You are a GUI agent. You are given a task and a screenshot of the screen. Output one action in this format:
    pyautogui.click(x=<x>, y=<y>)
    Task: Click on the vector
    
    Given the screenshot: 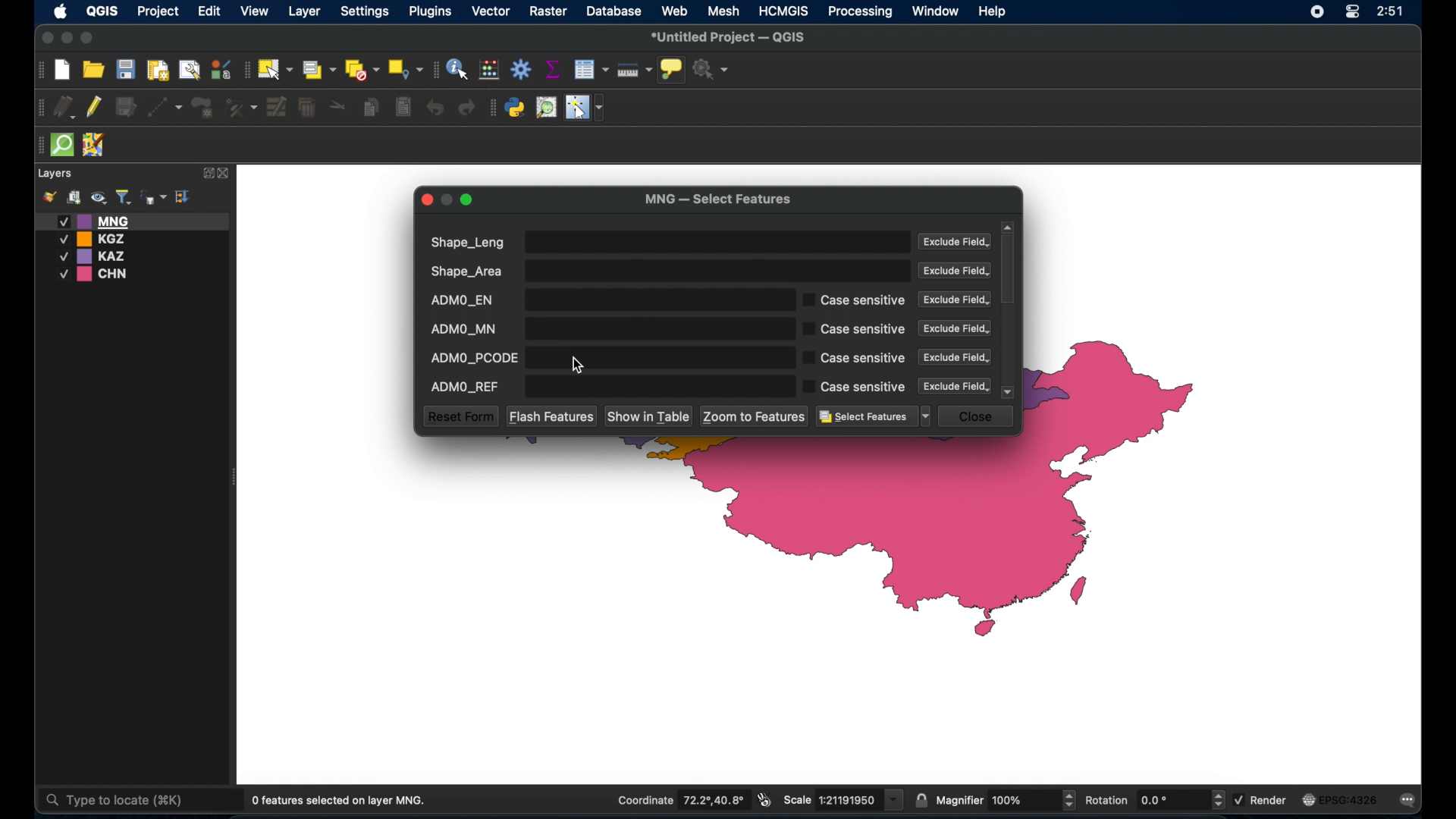 What is the action you would take?
    pyautogui.click(x=492, y=11)
    